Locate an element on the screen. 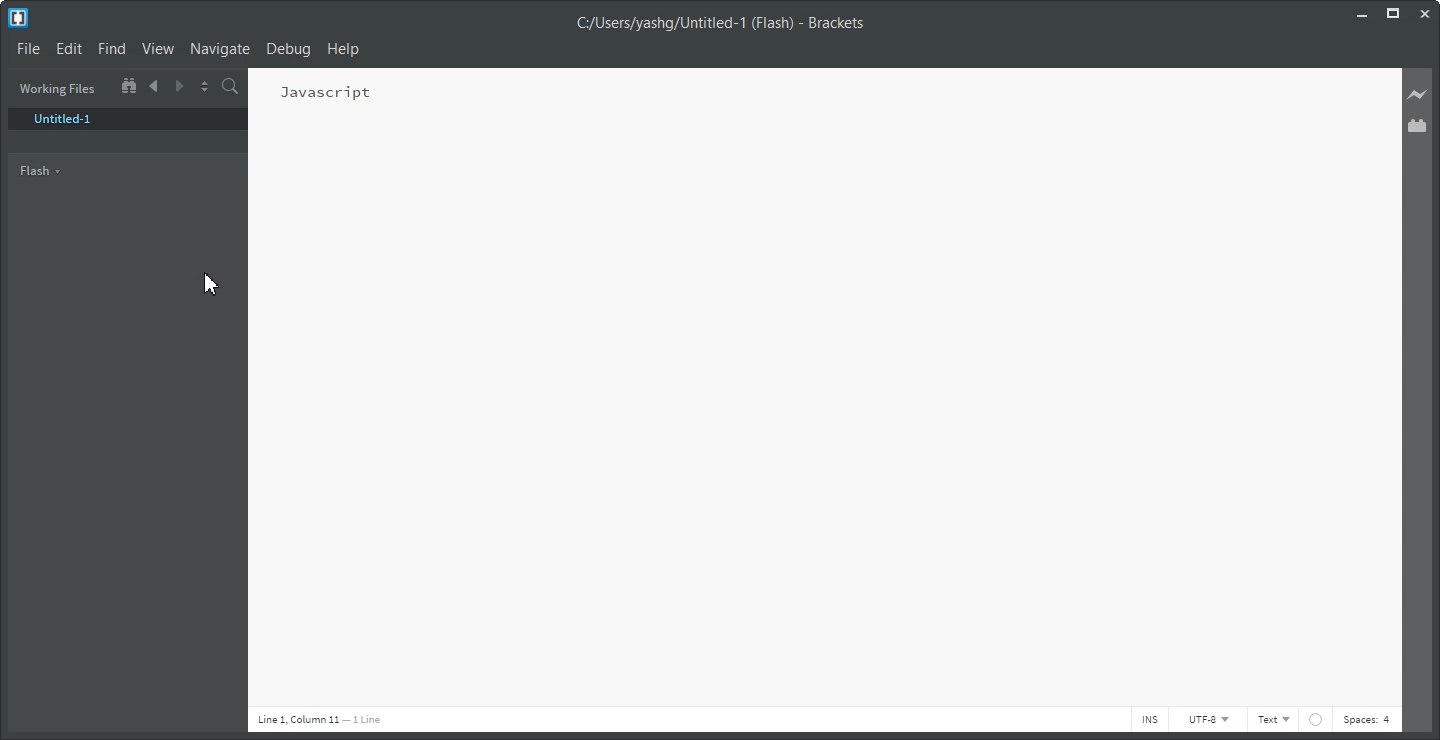 The image size is (1440, 740). Logo is located at coordinates (18, 18).